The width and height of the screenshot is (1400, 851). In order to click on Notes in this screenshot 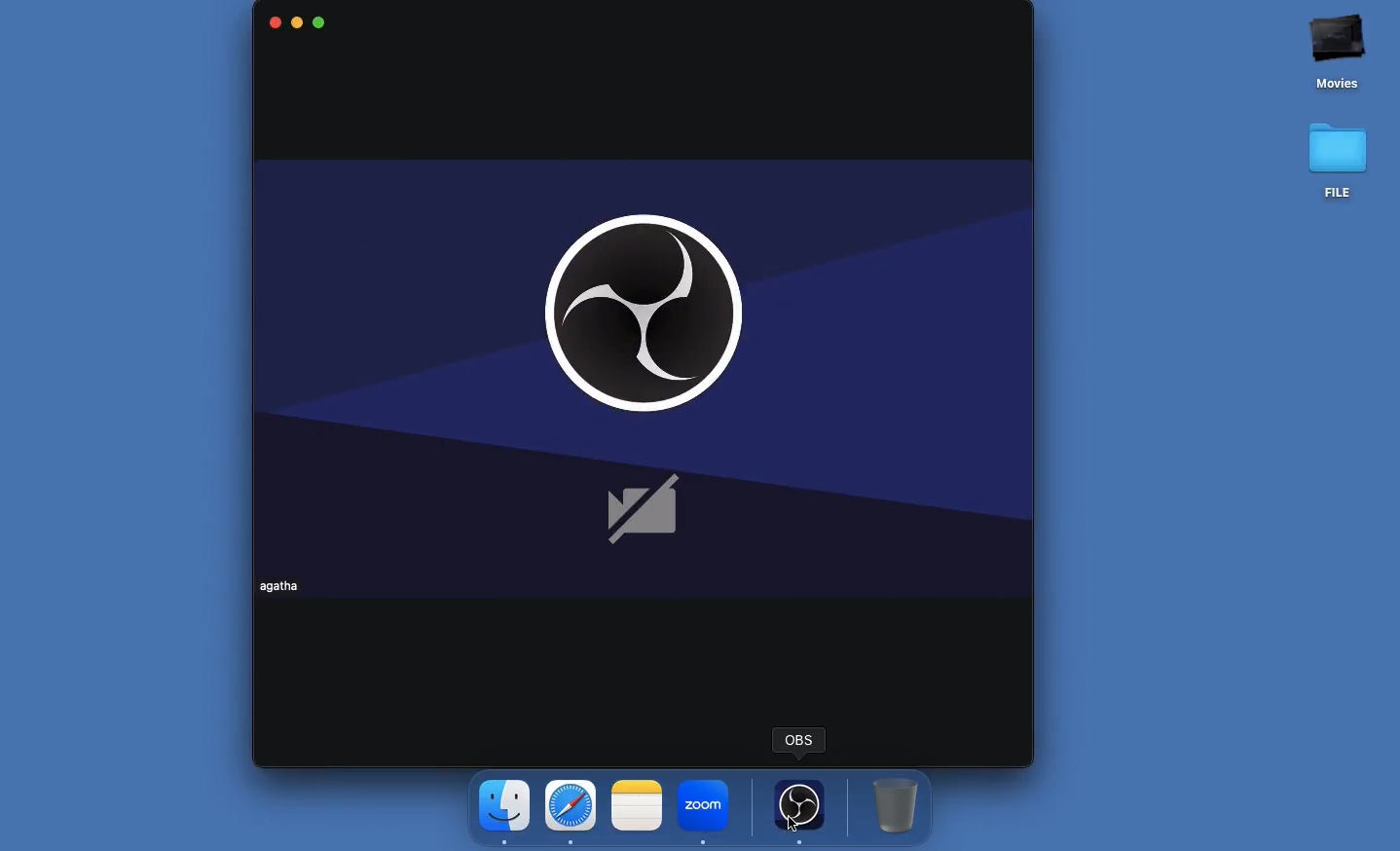, I will do `click(635, 804)`.